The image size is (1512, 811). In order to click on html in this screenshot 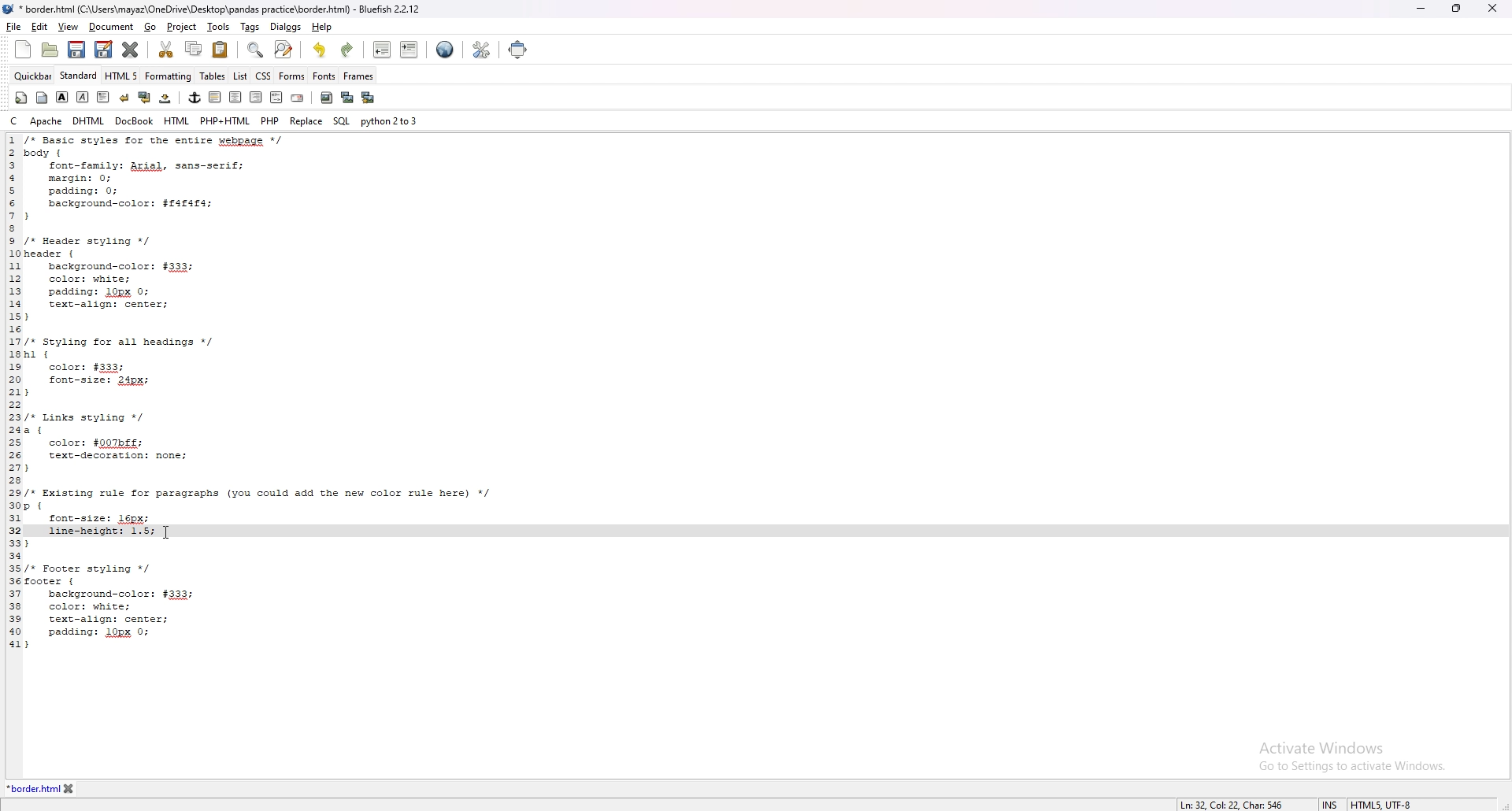, I will do `click(176, 120)`.